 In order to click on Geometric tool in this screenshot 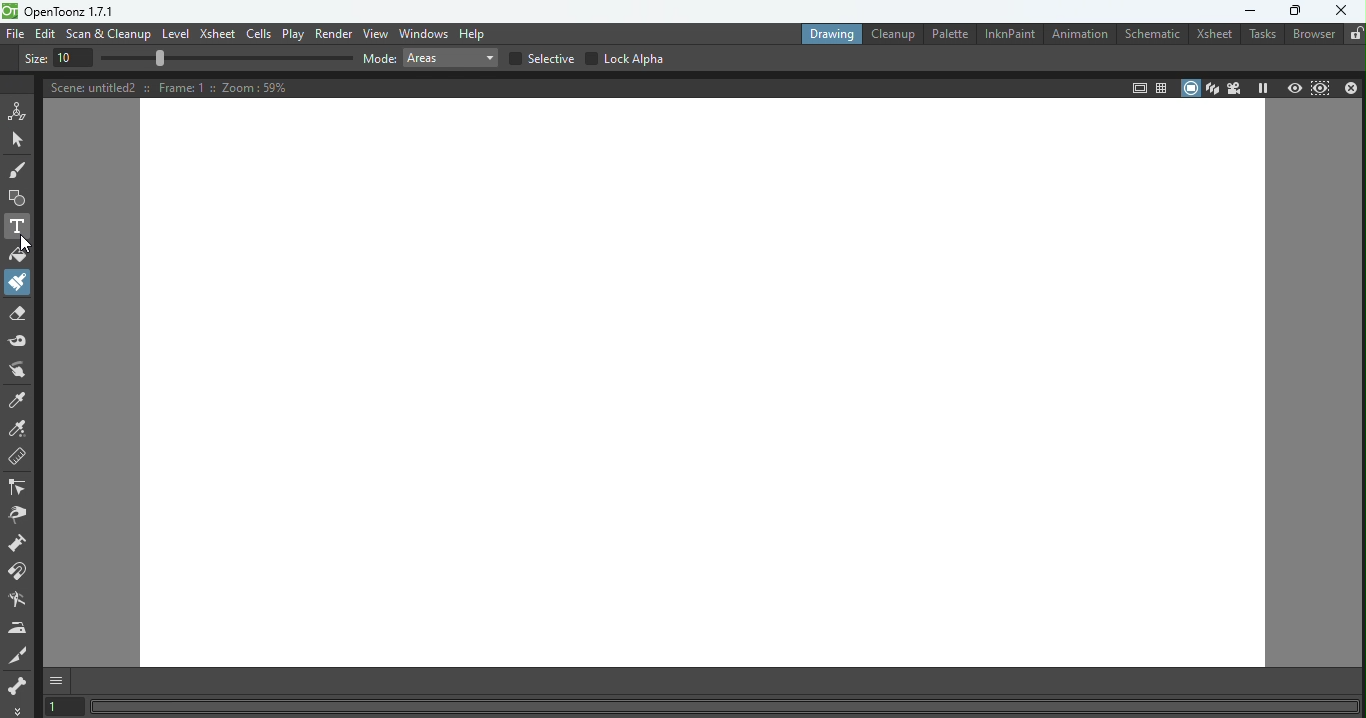, I will do `click(17, 198)`.